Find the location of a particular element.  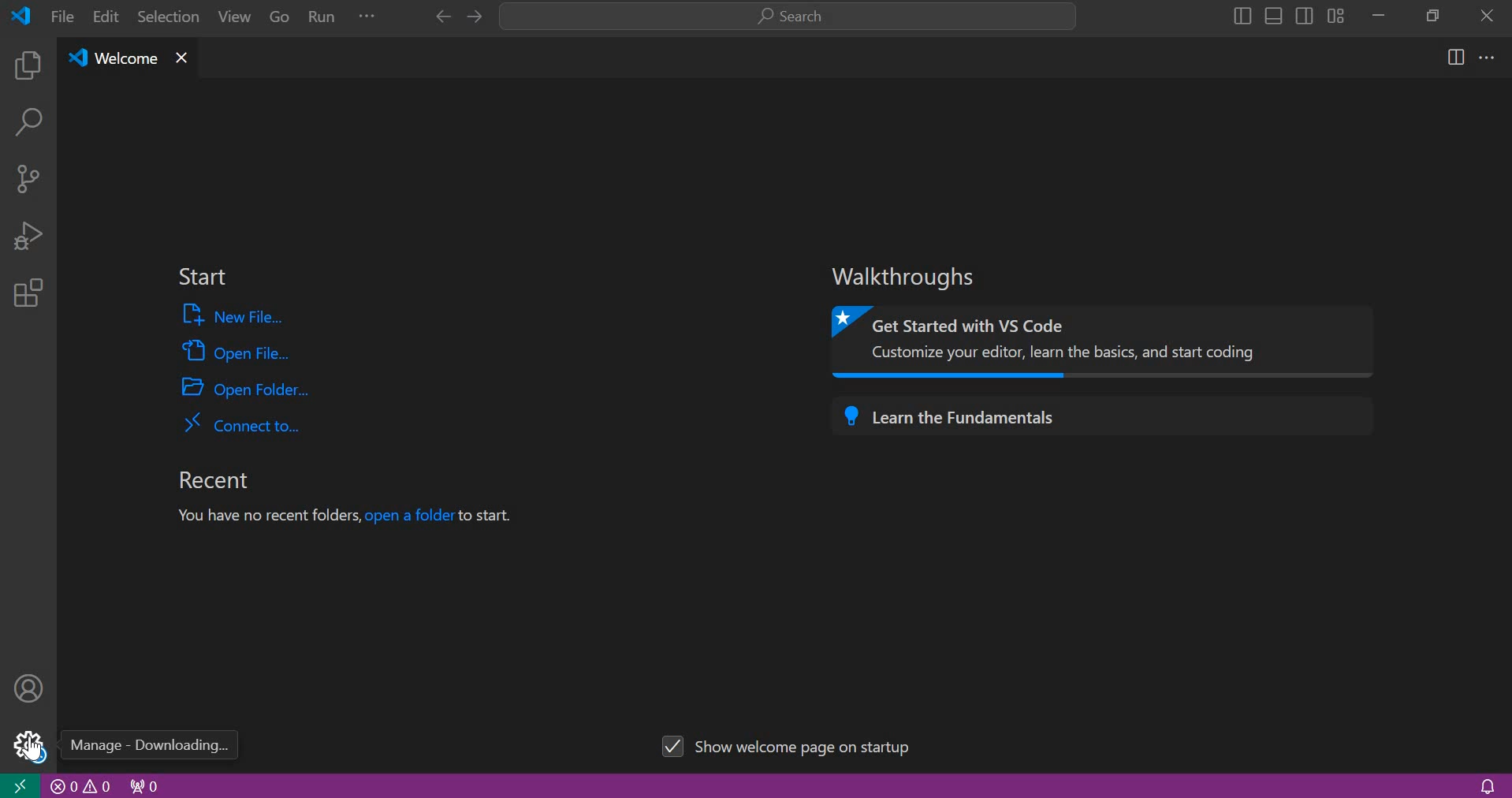

toggle secondary sidebar is located at coordinates (1305, 14).